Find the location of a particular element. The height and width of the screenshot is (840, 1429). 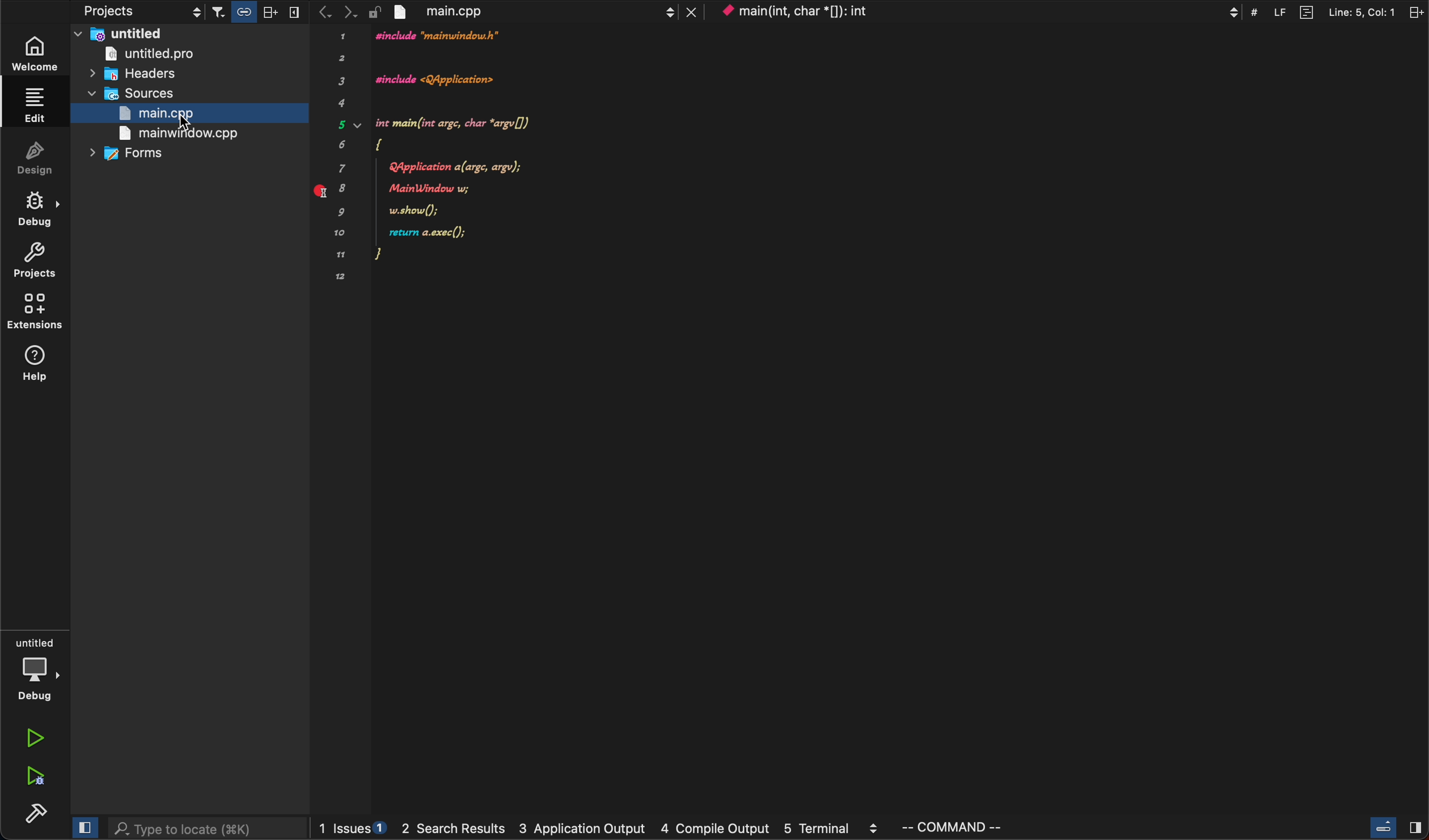

edit is located at coordinates (36, 107).